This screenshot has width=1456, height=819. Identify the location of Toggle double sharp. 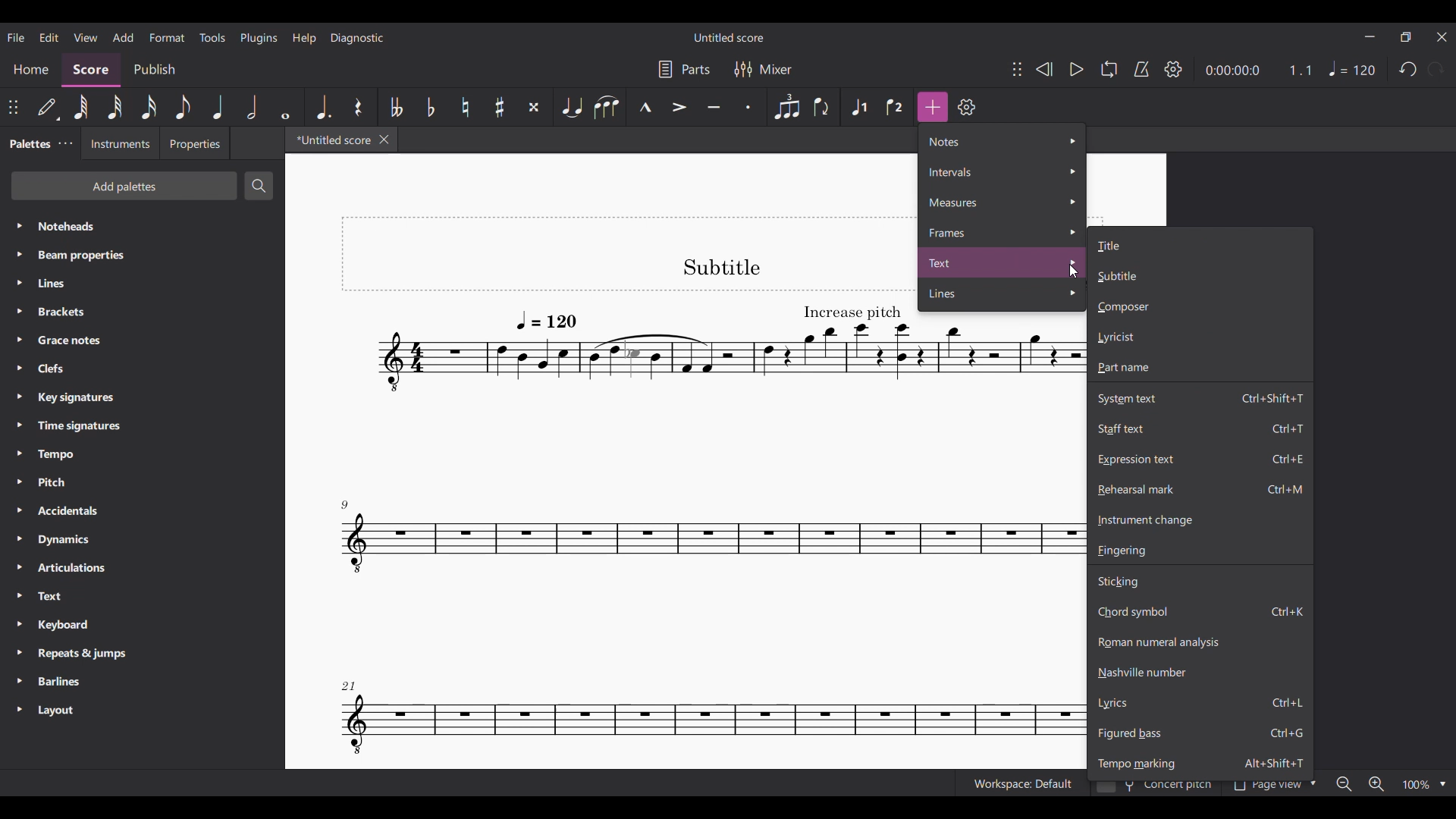
(534, 107).